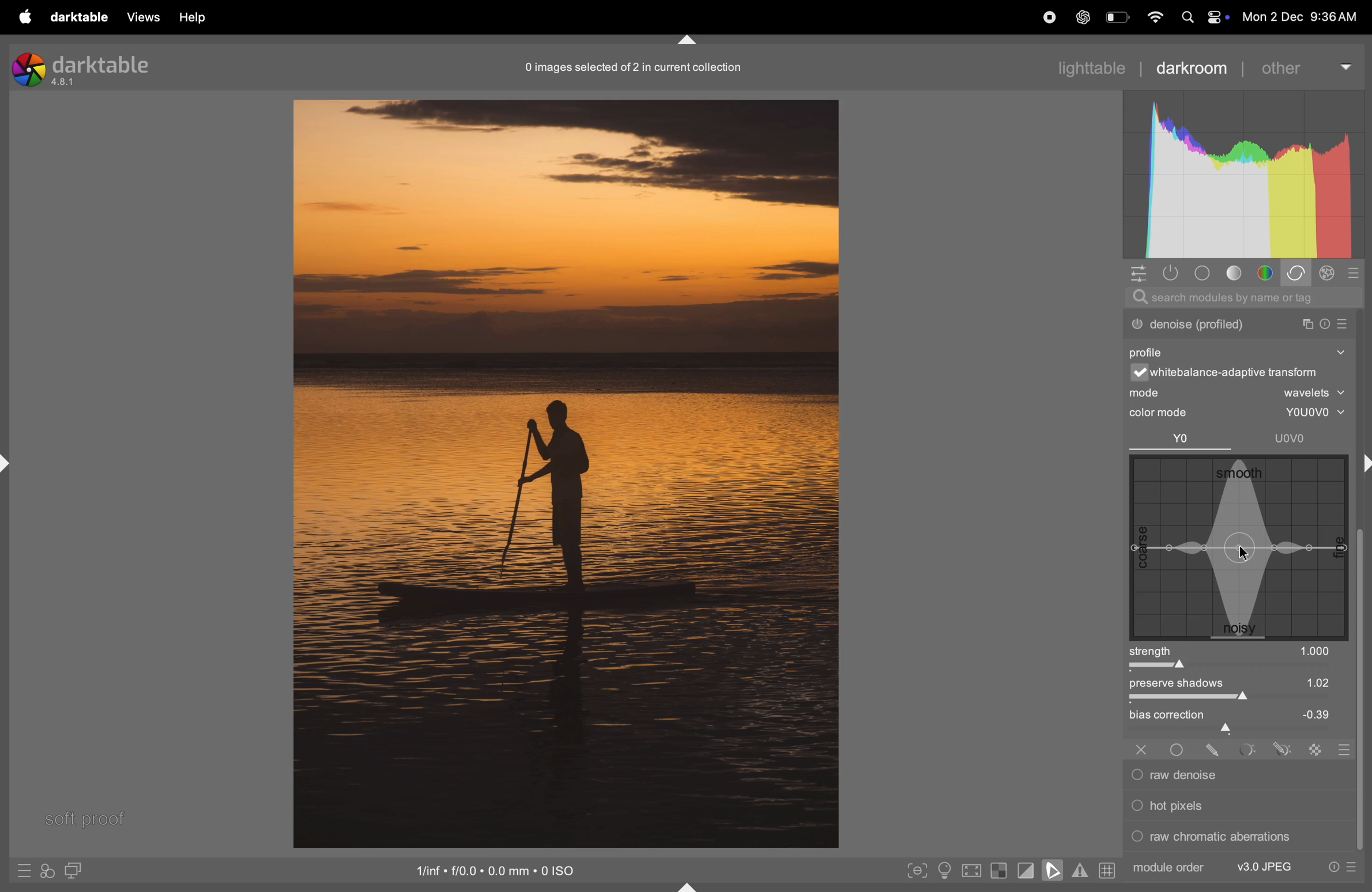 The image size is (1372, 892). Describe the element at coordinates (77, 17) in the screenshot. I see `darktable` at that location.